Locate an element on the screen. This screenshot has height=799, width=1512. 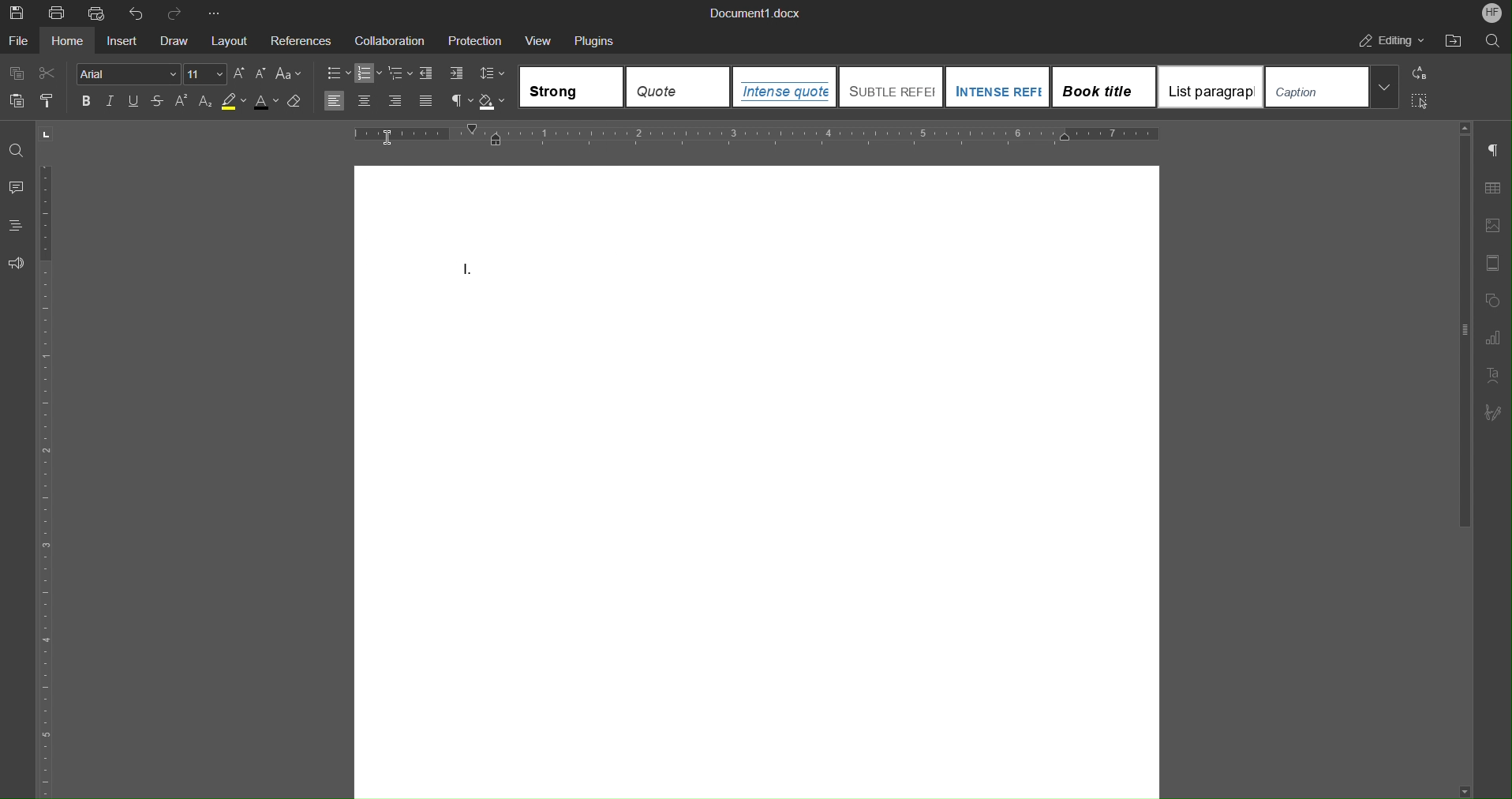
Superscript is located at coordinates (182, 102).